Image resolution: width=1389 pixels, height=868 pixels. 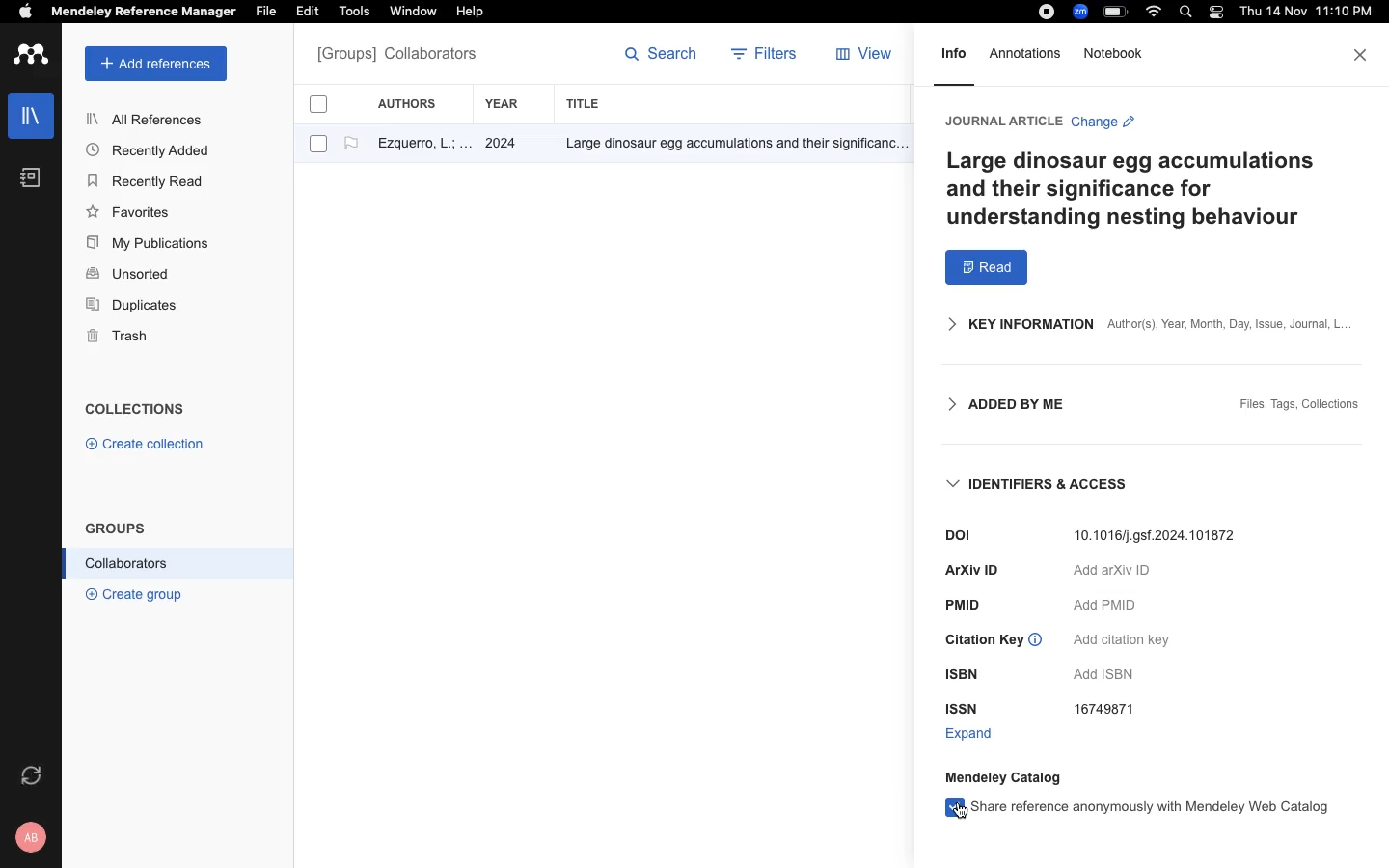 I want to click on “IDENTIFIERS & ACCESS, so click(x=1041, y=485).